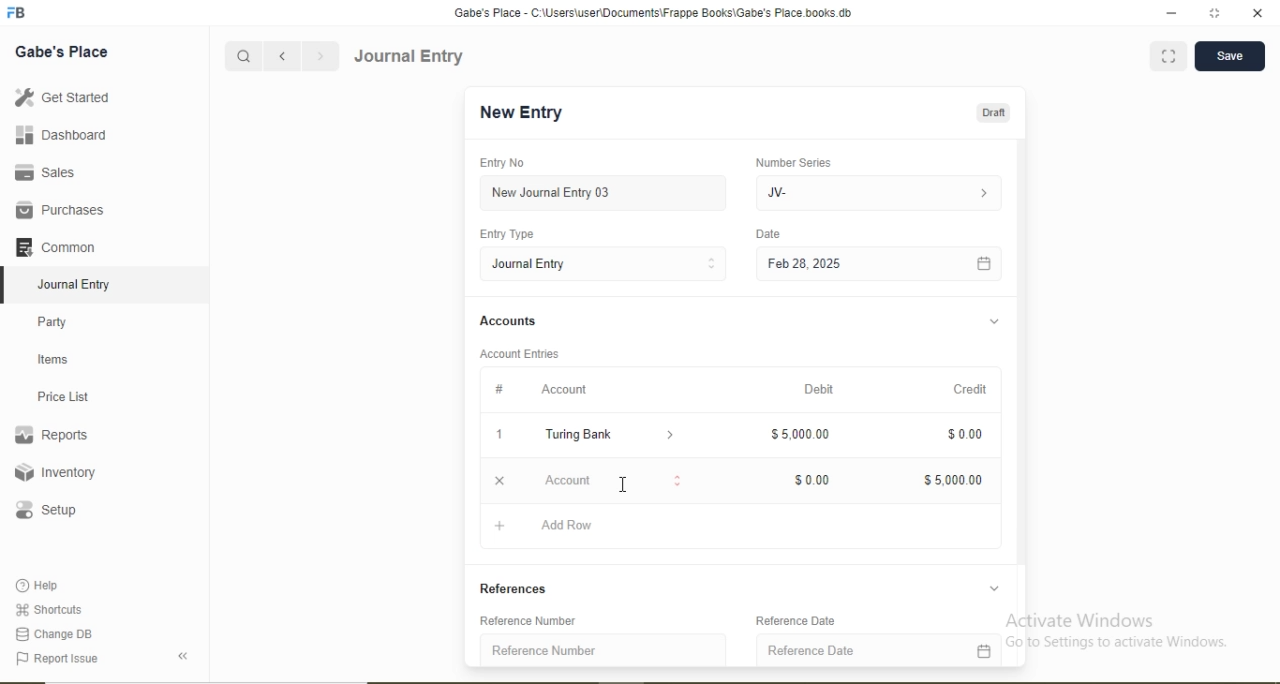  I want to click on 1, so click(499, 434).